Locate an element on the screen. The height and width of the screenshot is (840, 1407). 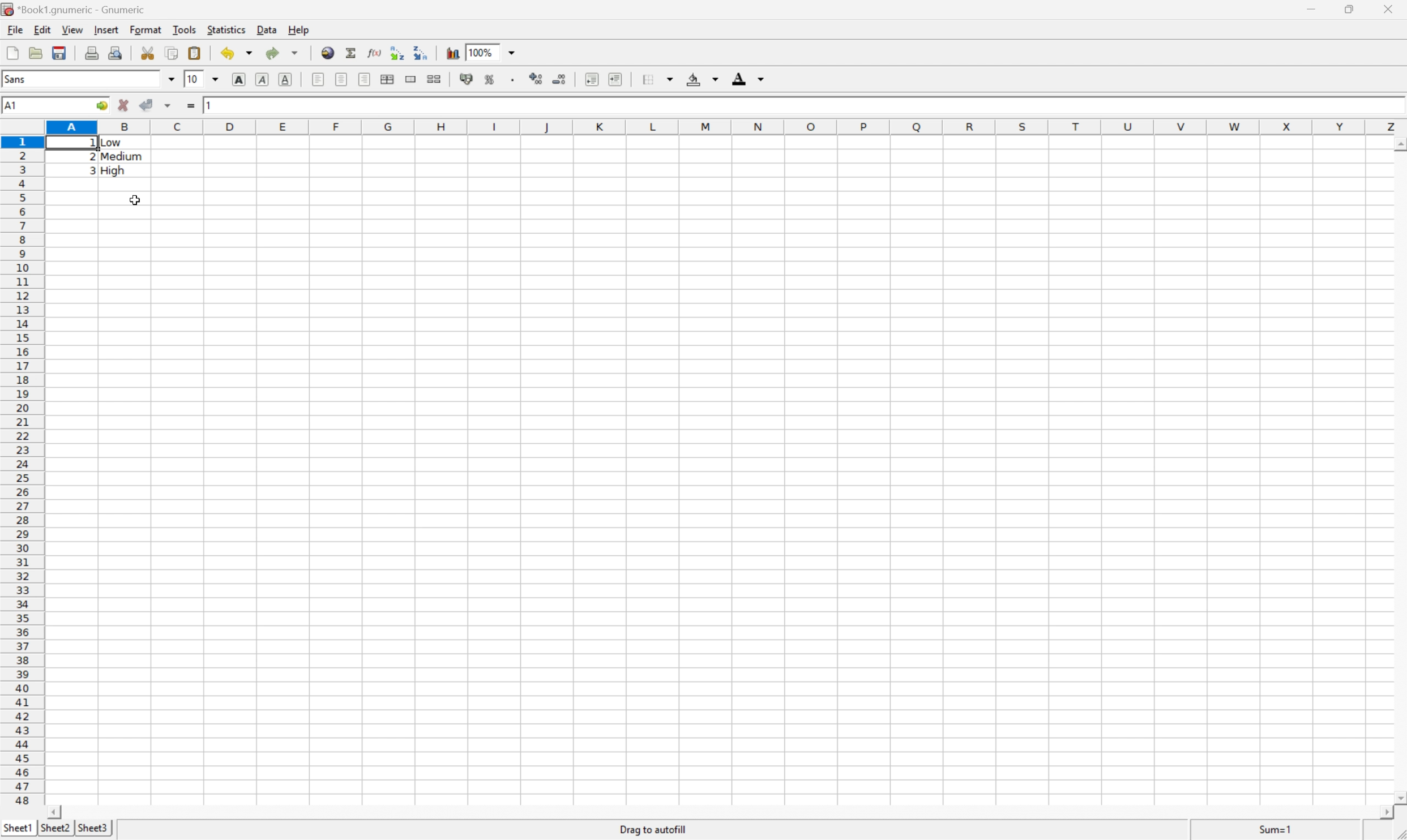
Scroll Down is located at coordinates (1398, 797).